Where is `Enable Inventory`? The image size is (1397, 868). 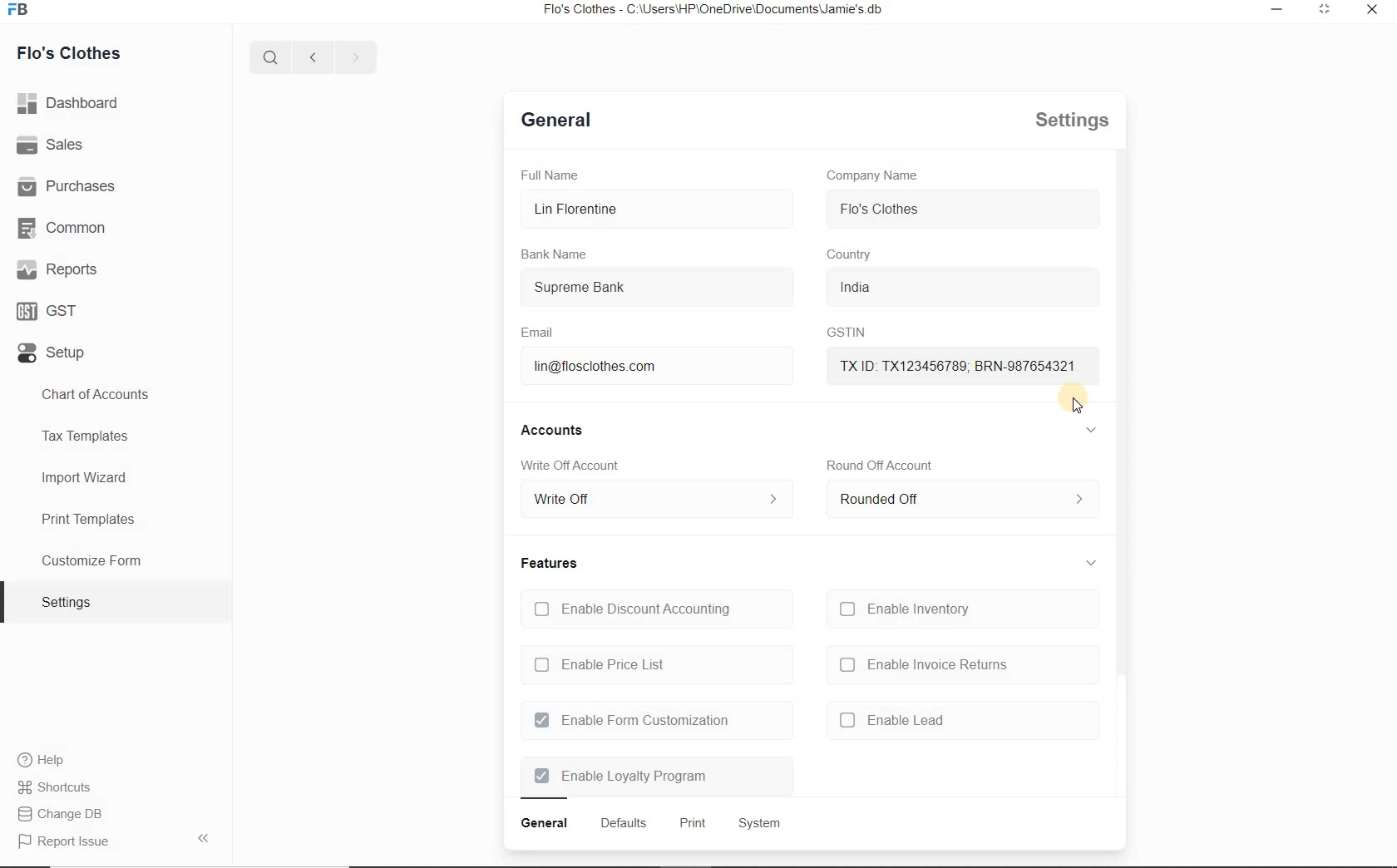
Enable Inventory is located at coordinates (910, 609).